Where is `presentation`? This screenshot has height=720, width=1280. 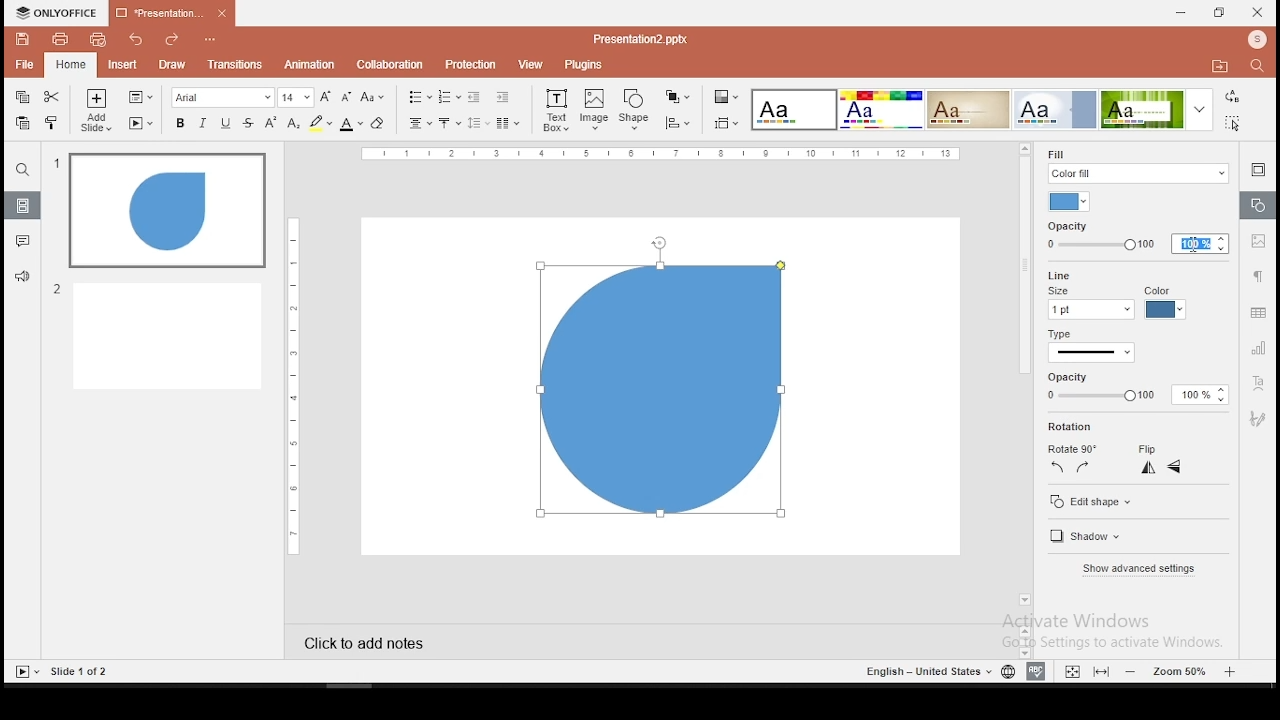
presentation is located at coordinates (170, 14).